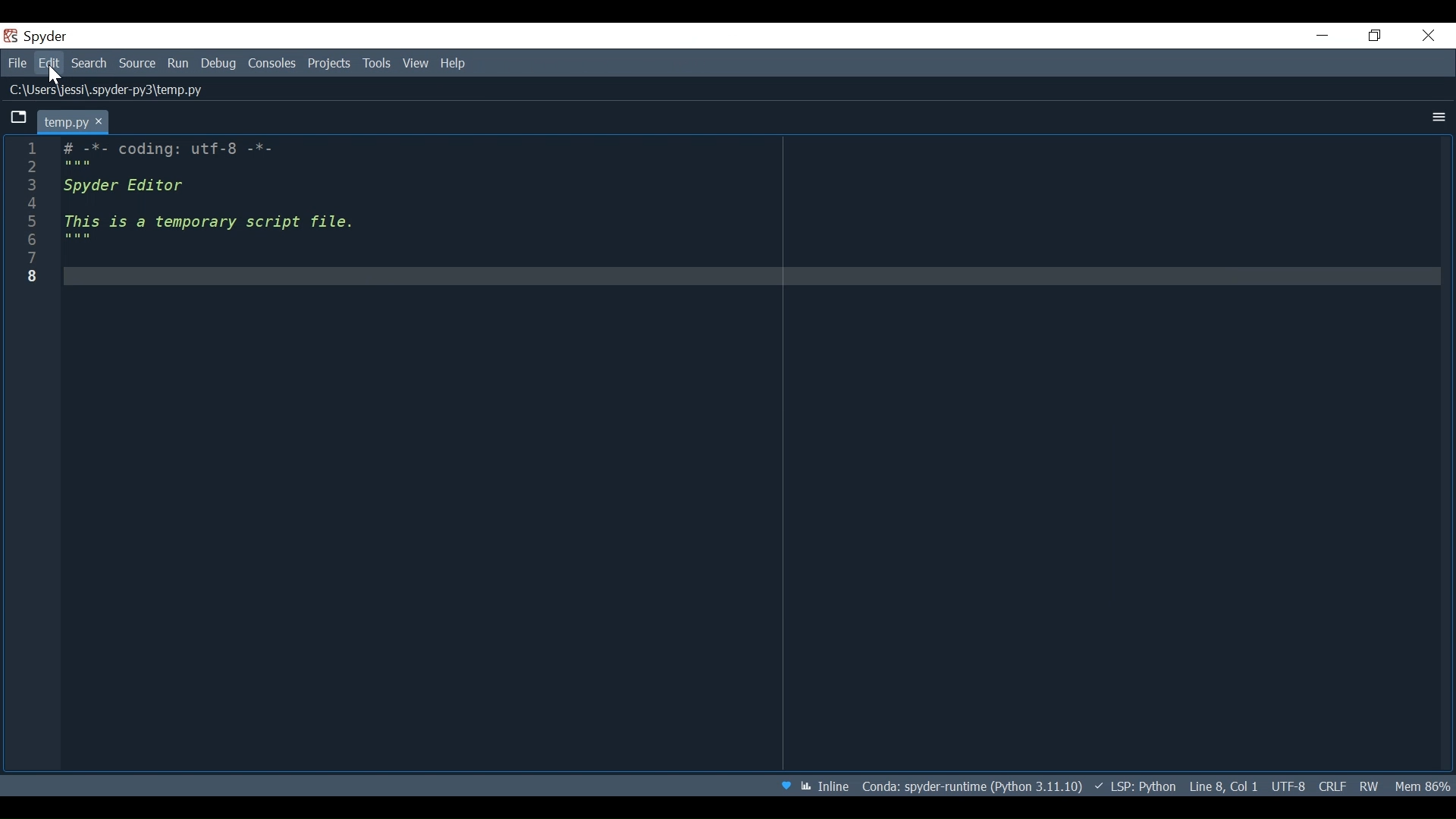 The height and width of the screenshot is (819, 1456). I want to click on File EQL Status, so click(1332, 786).